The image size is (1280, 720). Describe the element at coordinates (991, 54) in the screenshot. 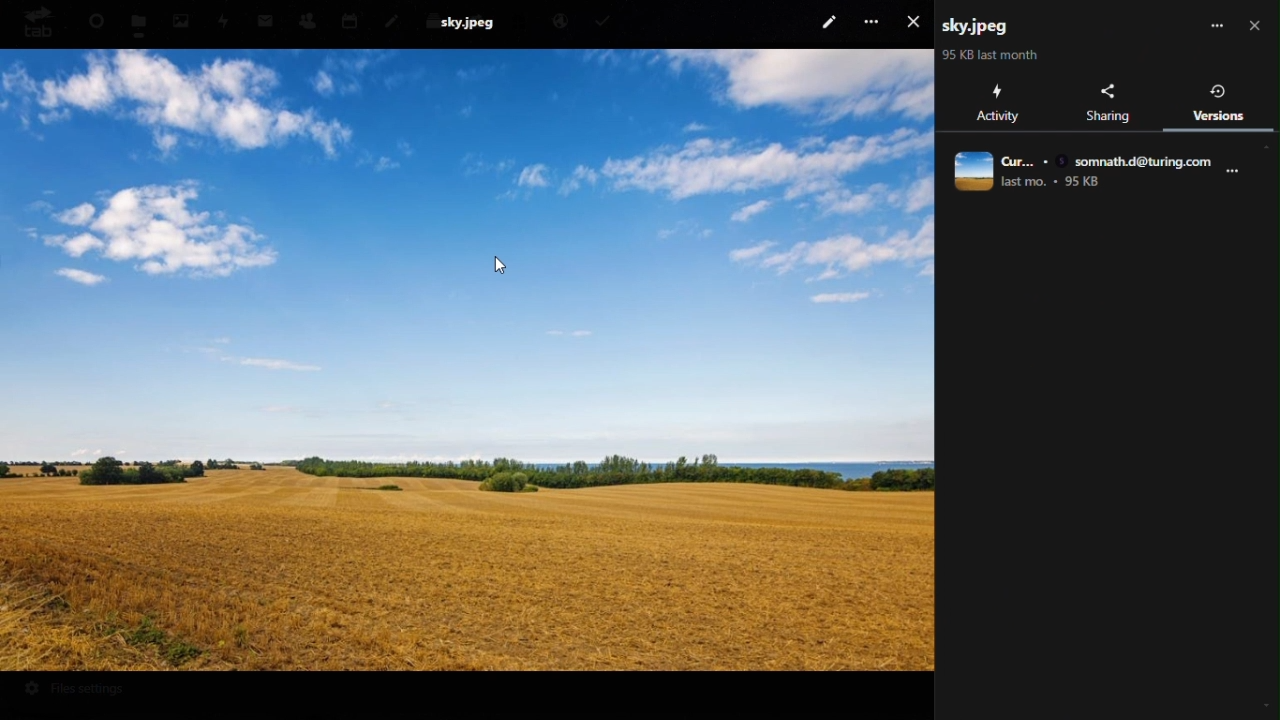

I see `Data usage` at that location.